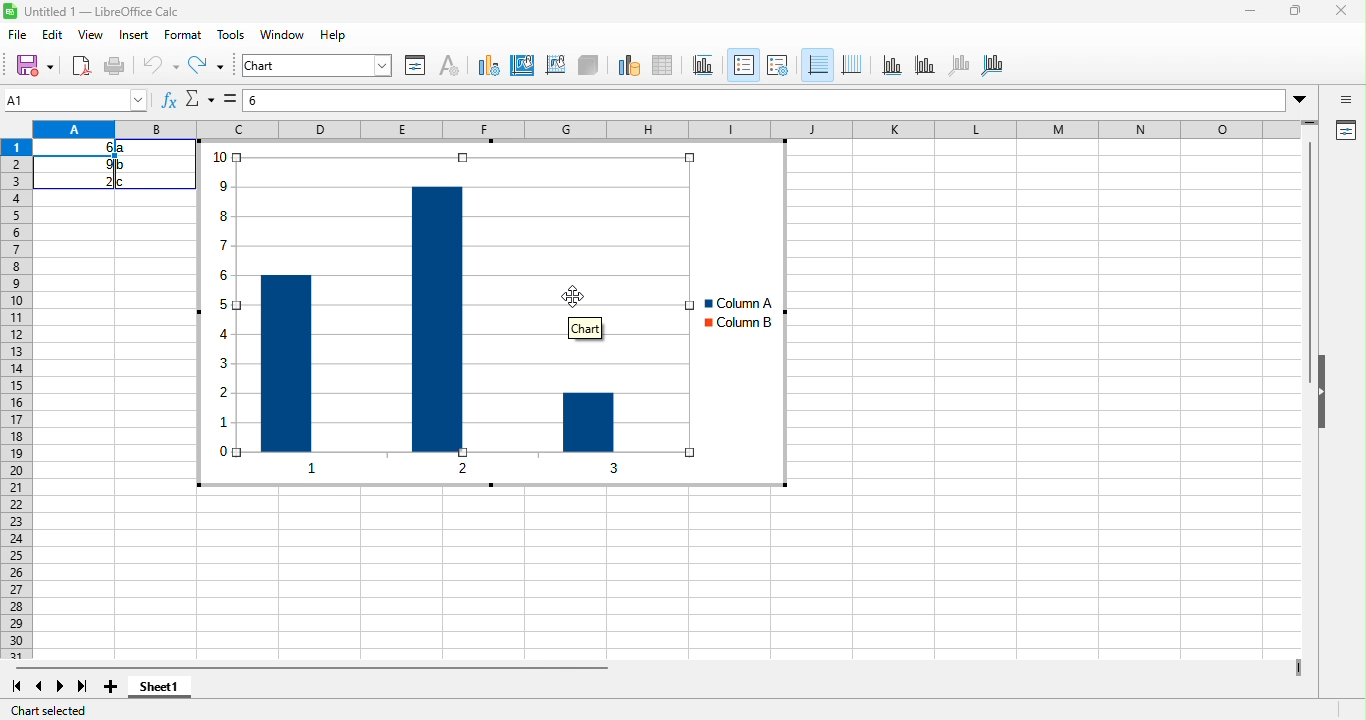 Image resolution: width=1366 pixels, height=720 pixels. What do you see at coordinates (39, 688) in the screenshot?
I see `previous` at bounding box center [39, 688].